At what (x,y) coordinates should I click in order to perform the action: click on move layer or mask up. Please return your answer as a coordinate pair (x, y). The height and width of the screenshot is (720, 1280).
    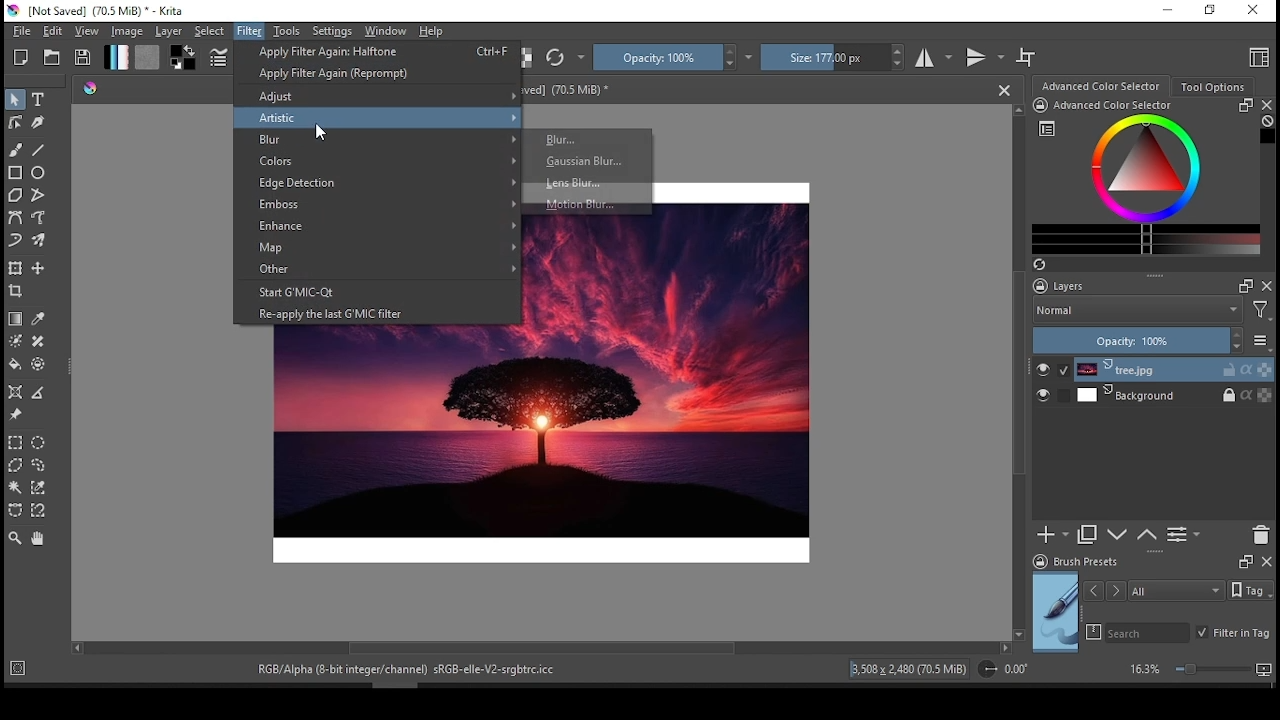
    Looking at the image, I should click on (1152, 537).